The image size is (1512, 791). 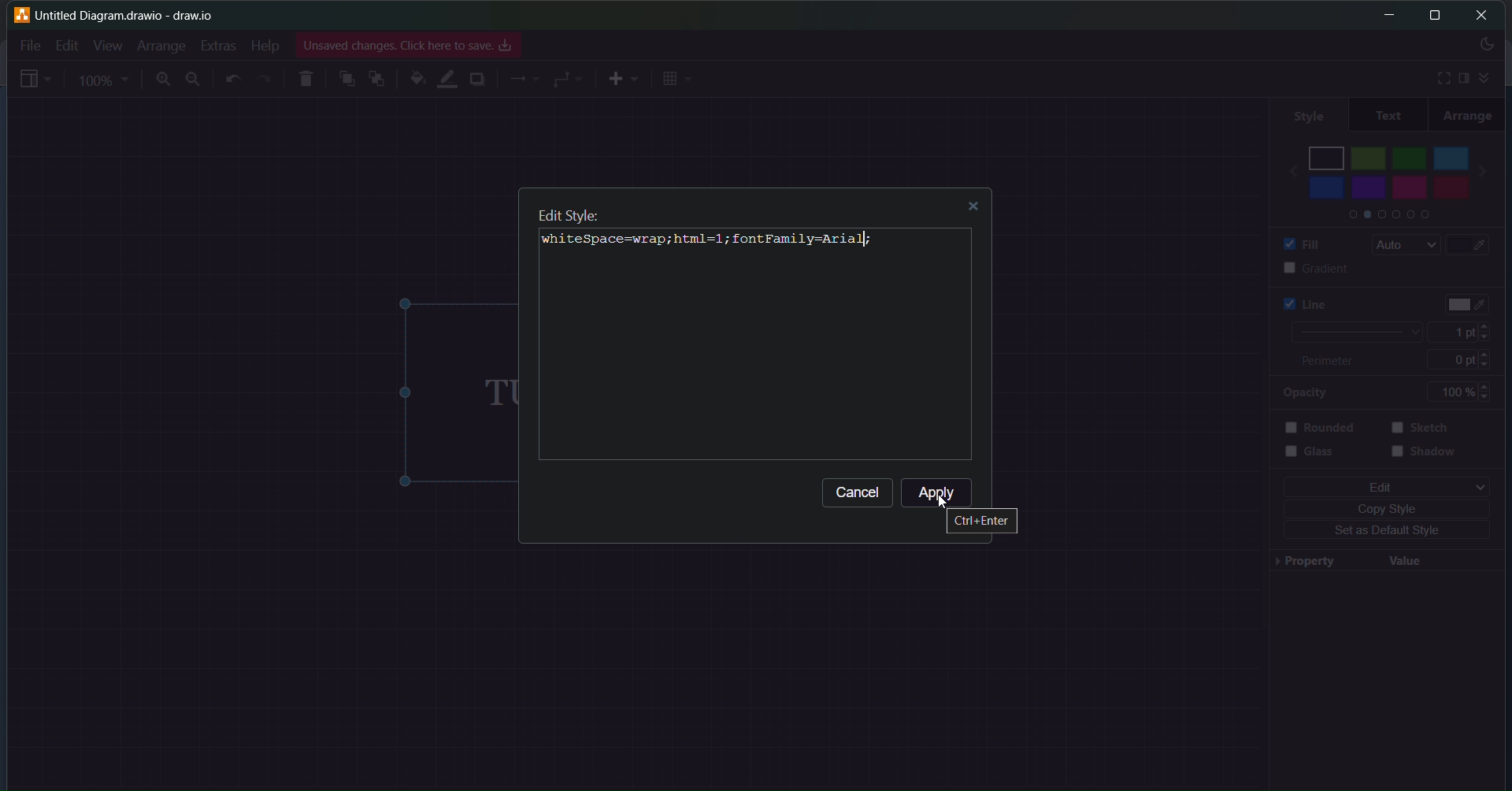 What do you see at coordinates (944, 499) in the screenshot?
I see `cursor` at bounding box center [944, 499].